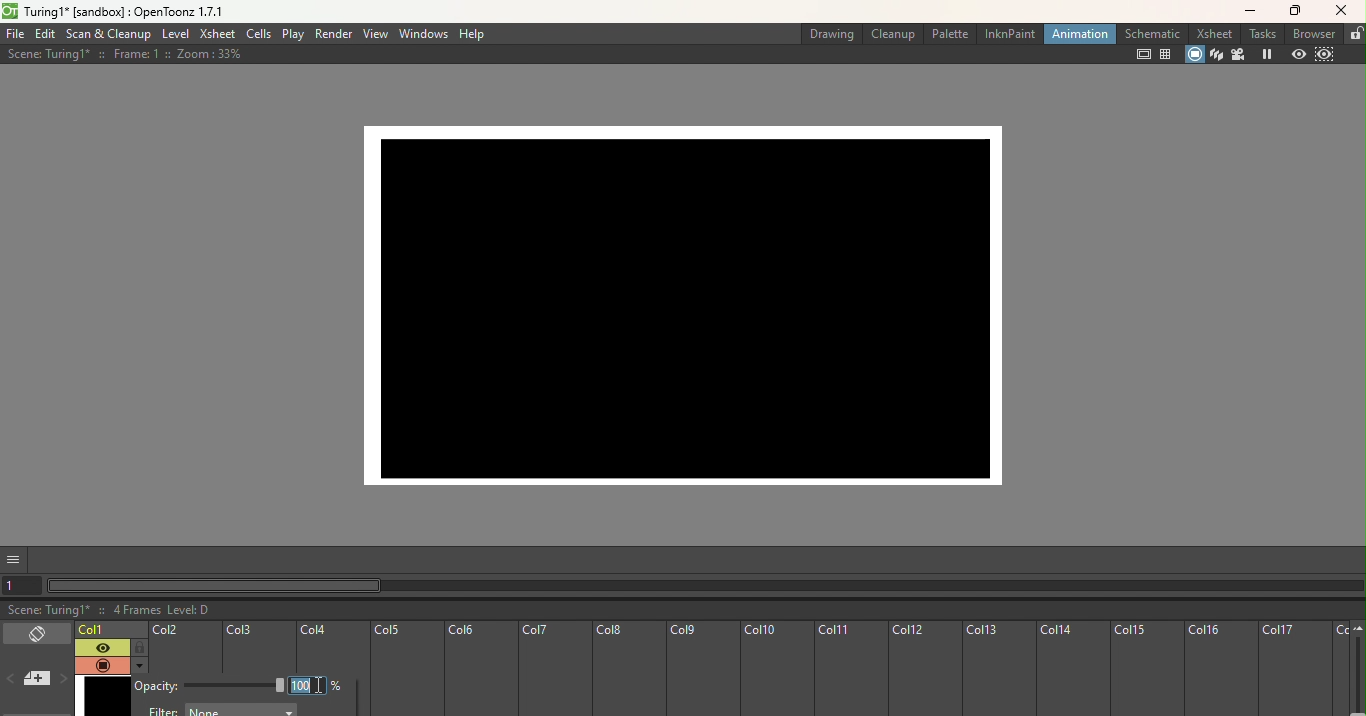 The height and width of the screenshot is (716, 1366). I want to click on Toggle Xsheet/timeline, so click(36, 634).